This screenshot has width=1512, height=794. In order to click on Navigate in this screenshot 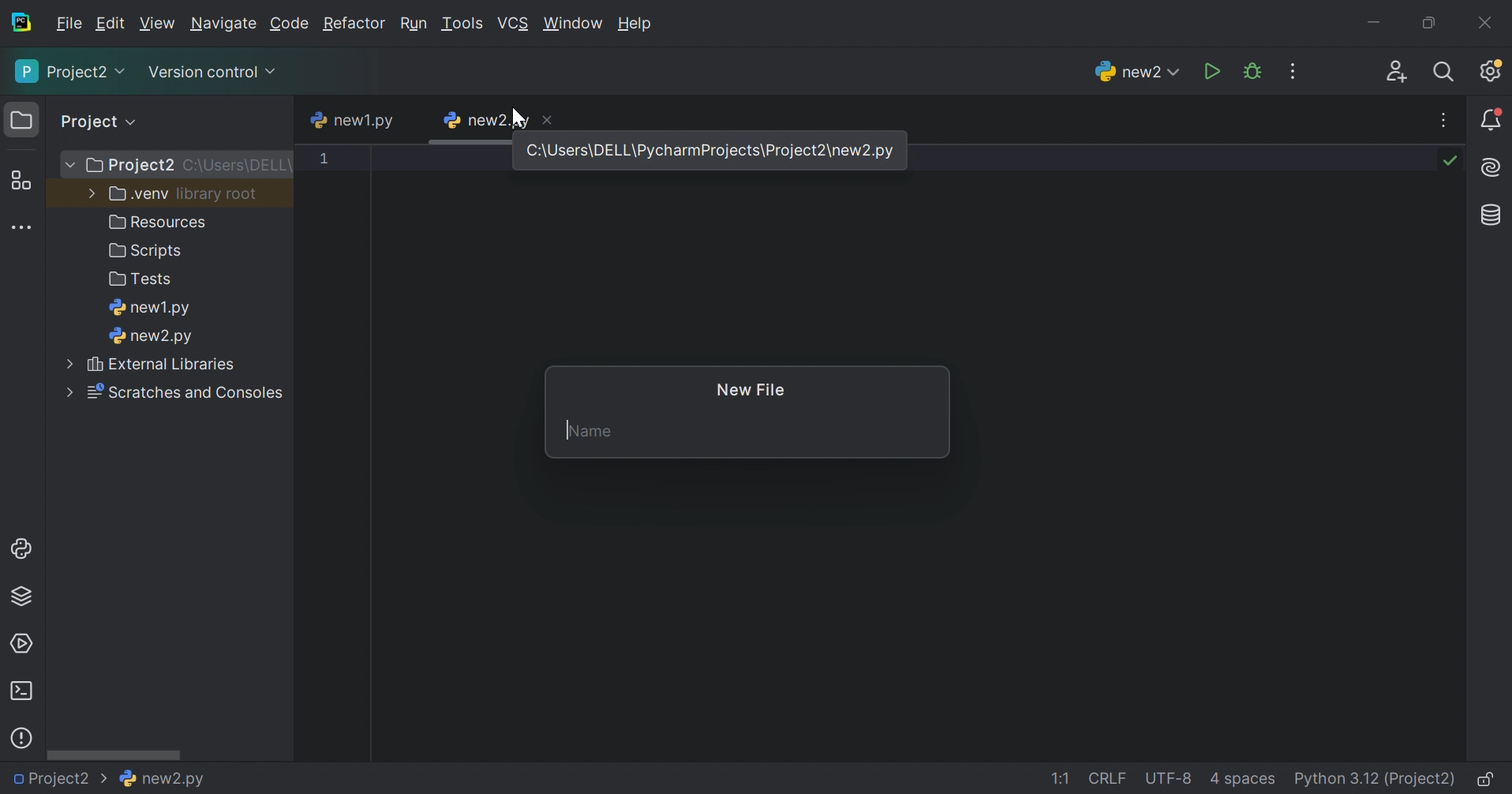, I will do `click(223, 25)`.